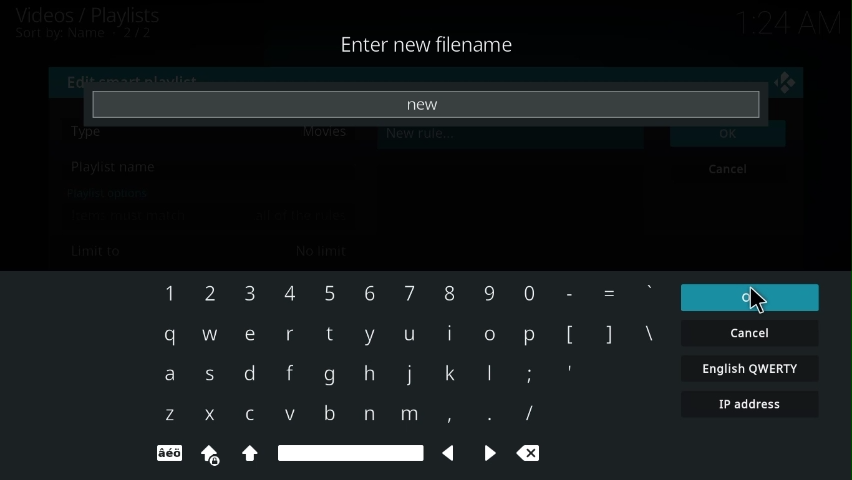 Image resolution: width=852 pixels, height=480 pixels. Describe the element at coordinates (407, 375) in the screenshot. I see `j` at that location.